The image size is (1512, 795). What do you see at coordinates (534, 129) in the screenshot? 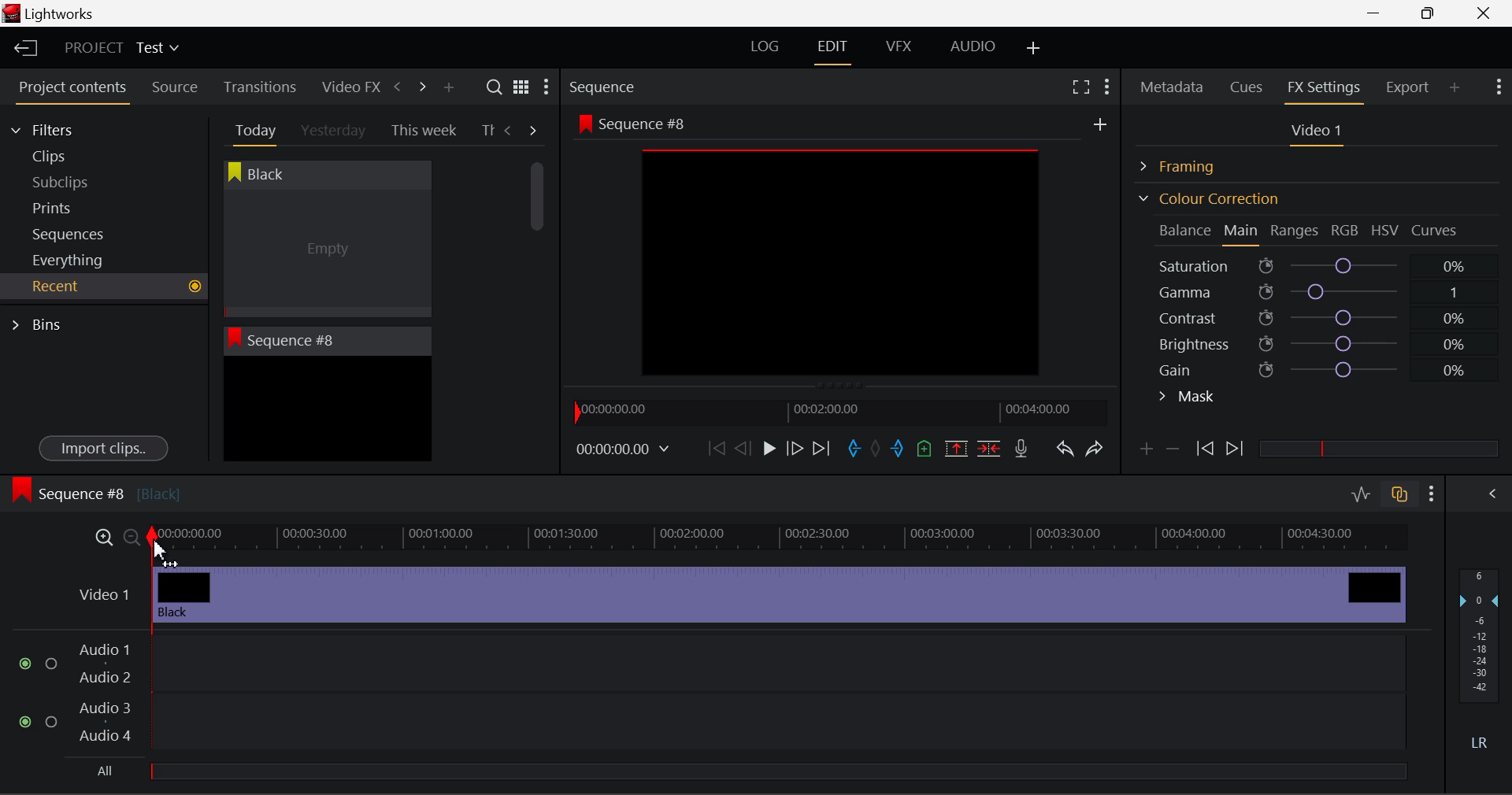
I see `Next Tab` at bounding box center [534, 129].